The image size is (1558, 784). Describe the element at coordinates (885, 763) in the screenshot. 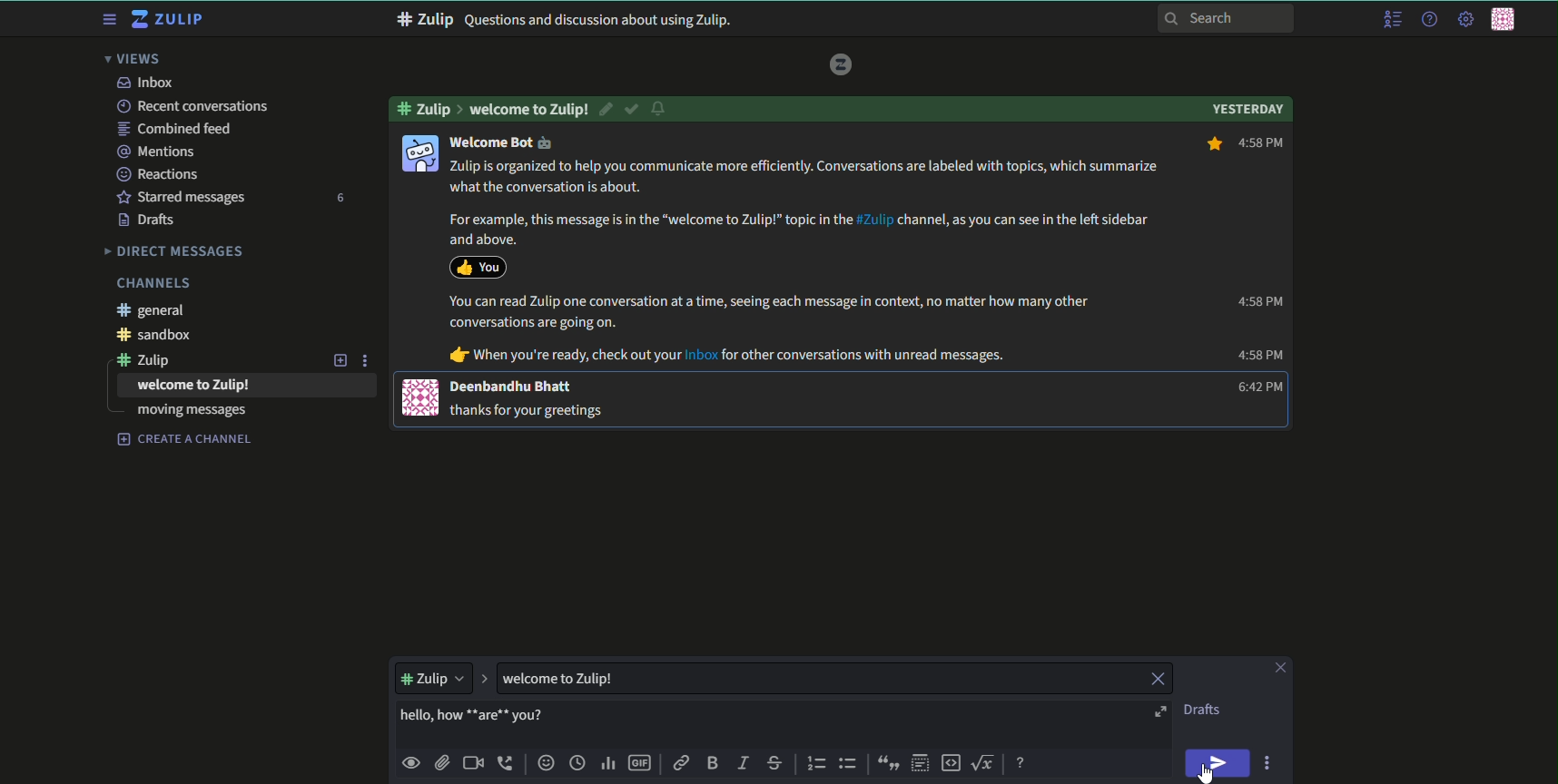

I see `quote` at that location.